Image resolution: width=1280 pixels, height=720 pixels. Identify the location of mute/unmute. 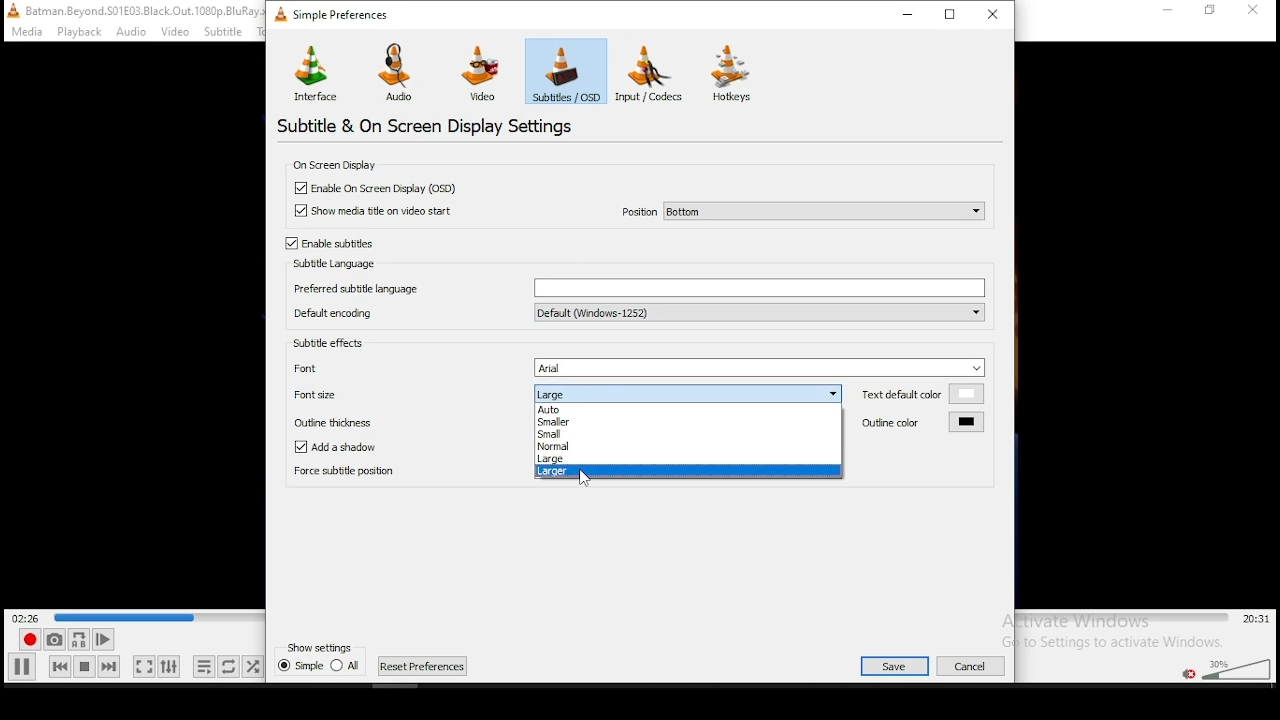
(1190, 674).